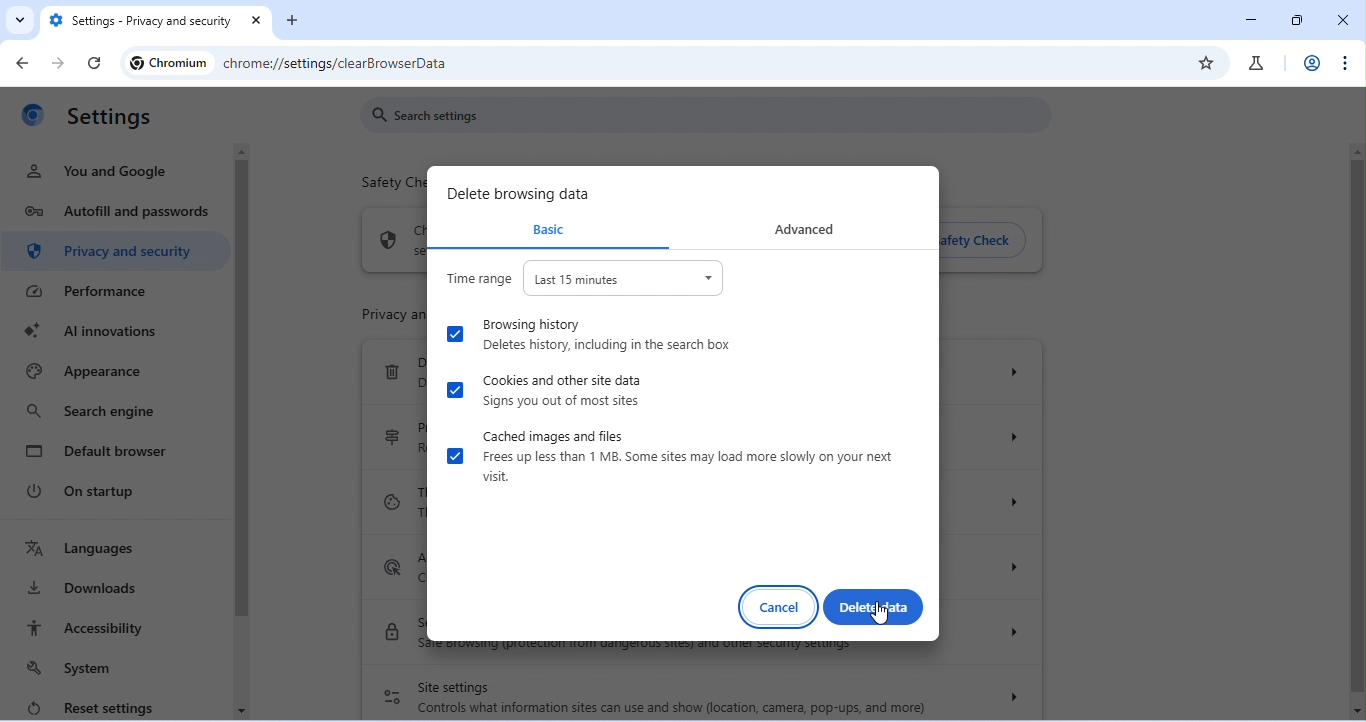 The width and height of the screenshot is (1366, 722). Describe the element at coordinates (873, 607) in the screenshot. I see `delete data` at that location.